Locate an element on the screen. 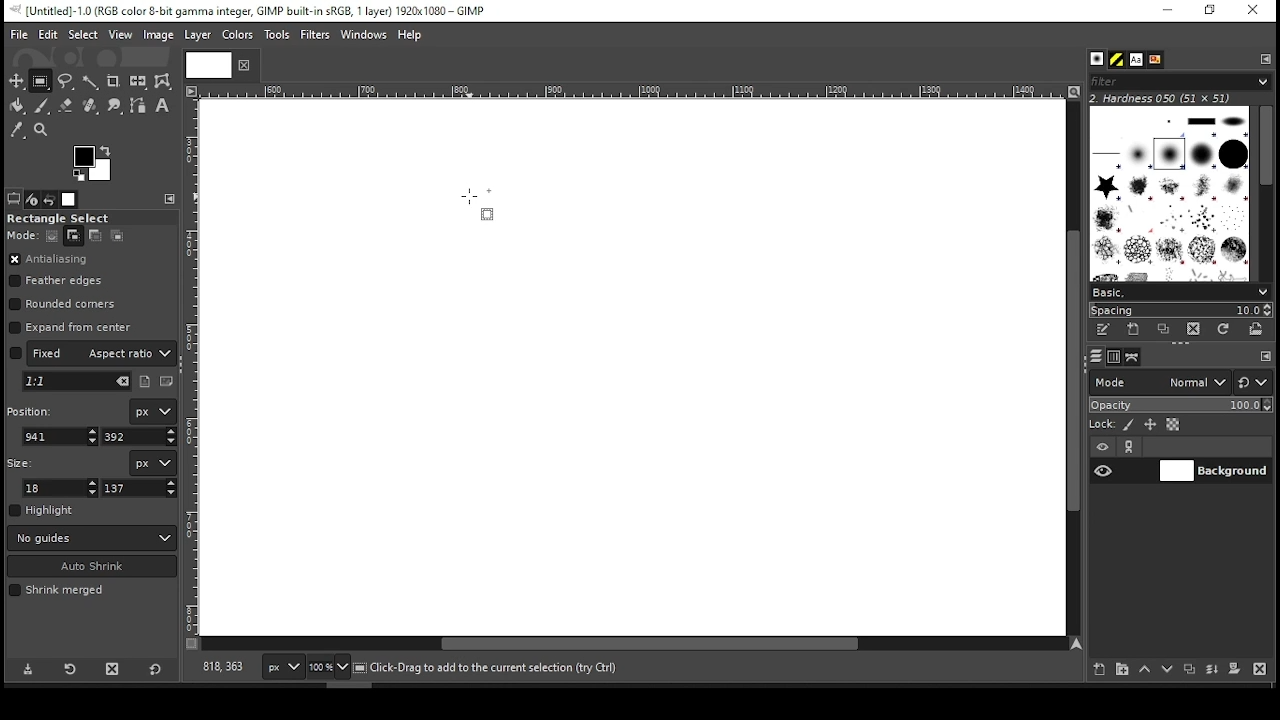 Image resolution: width=1280 pixels, height=720 pixels. landscape is located at coordinates (168, 383).